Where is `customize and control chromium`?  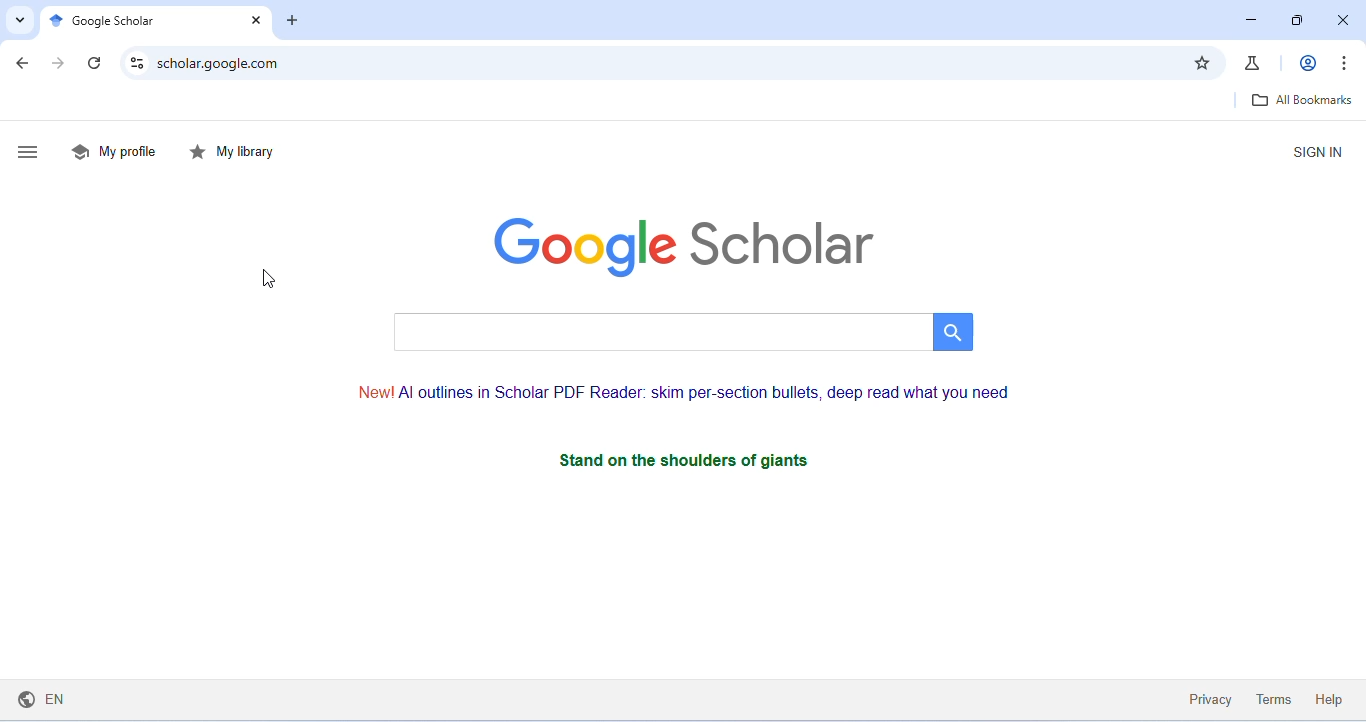
customize and control chromium is located at coordinates (1342, 60).